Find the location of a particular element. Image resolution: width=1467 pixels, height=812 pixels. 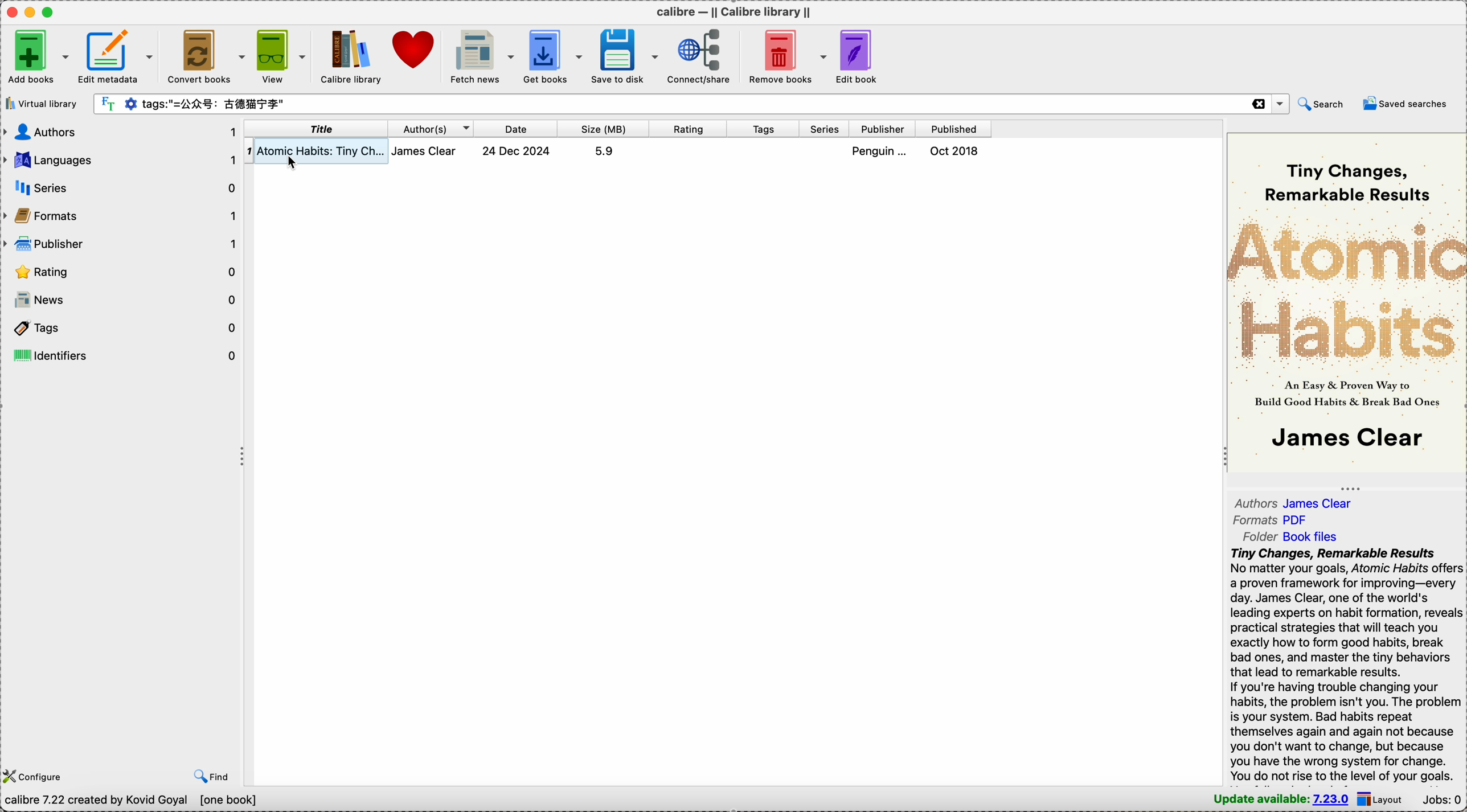

series is located at coordinates (120, 187).